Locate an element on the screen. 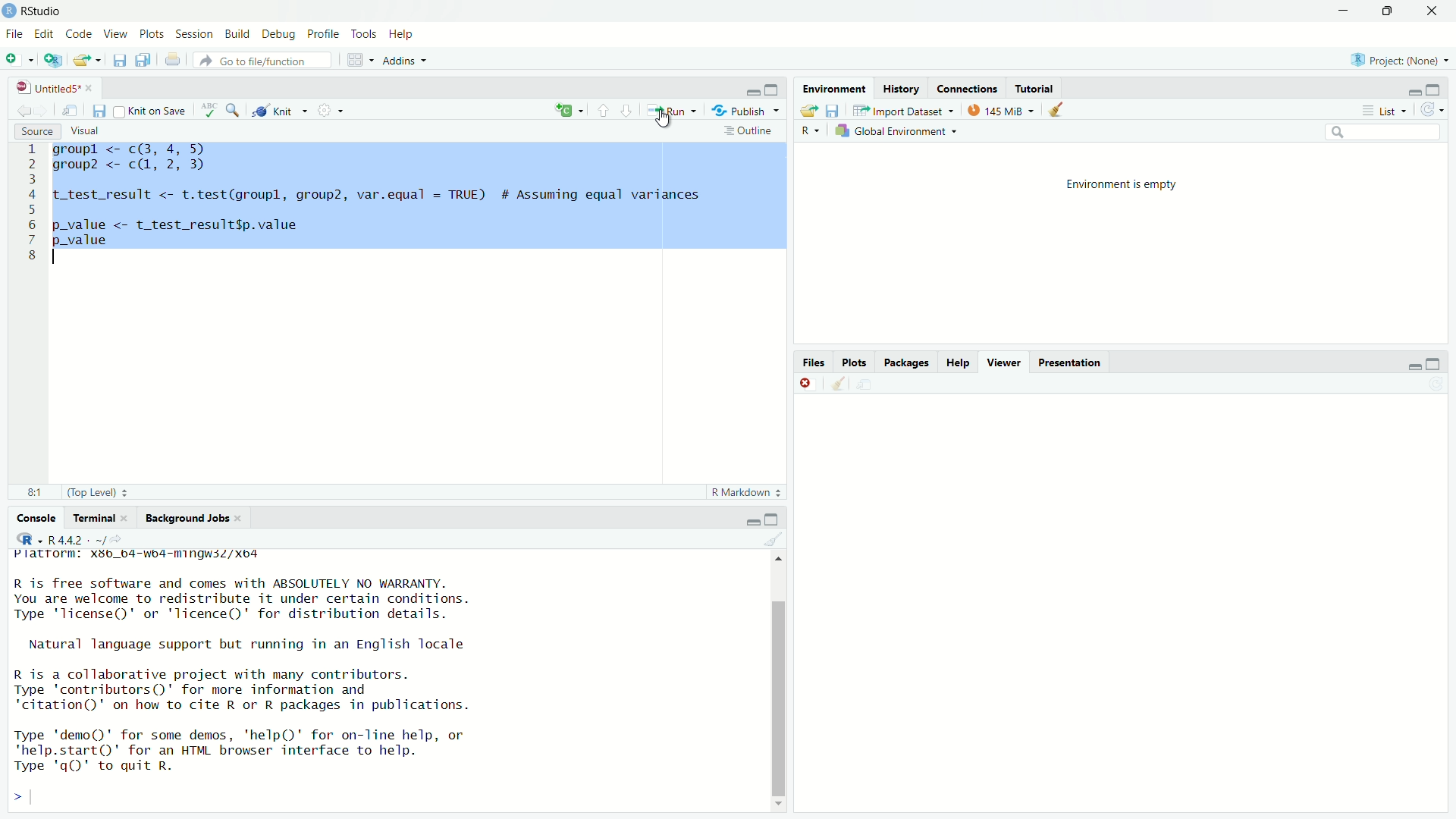 The height and width of the screenshot is (819, 1456). Console is located at coordinates (36, 518).